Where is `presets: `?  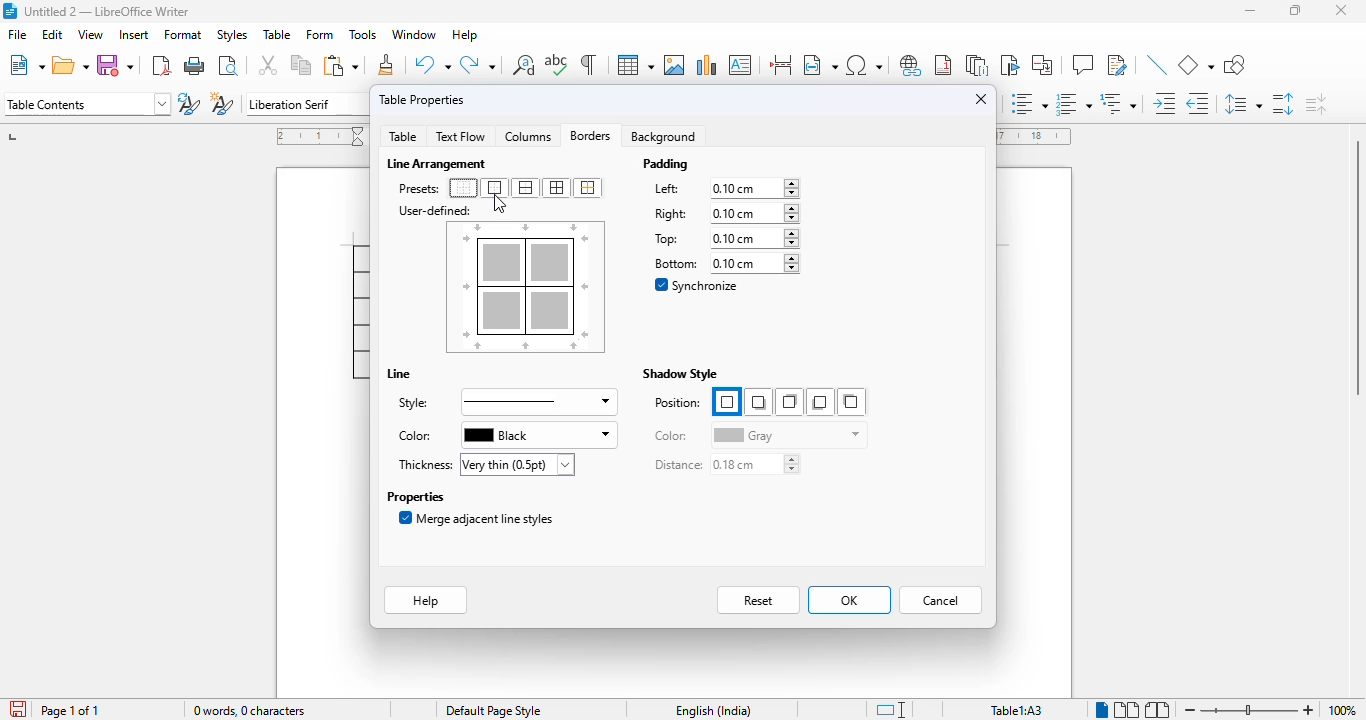 presets:  is located at coordinates (420, 189).